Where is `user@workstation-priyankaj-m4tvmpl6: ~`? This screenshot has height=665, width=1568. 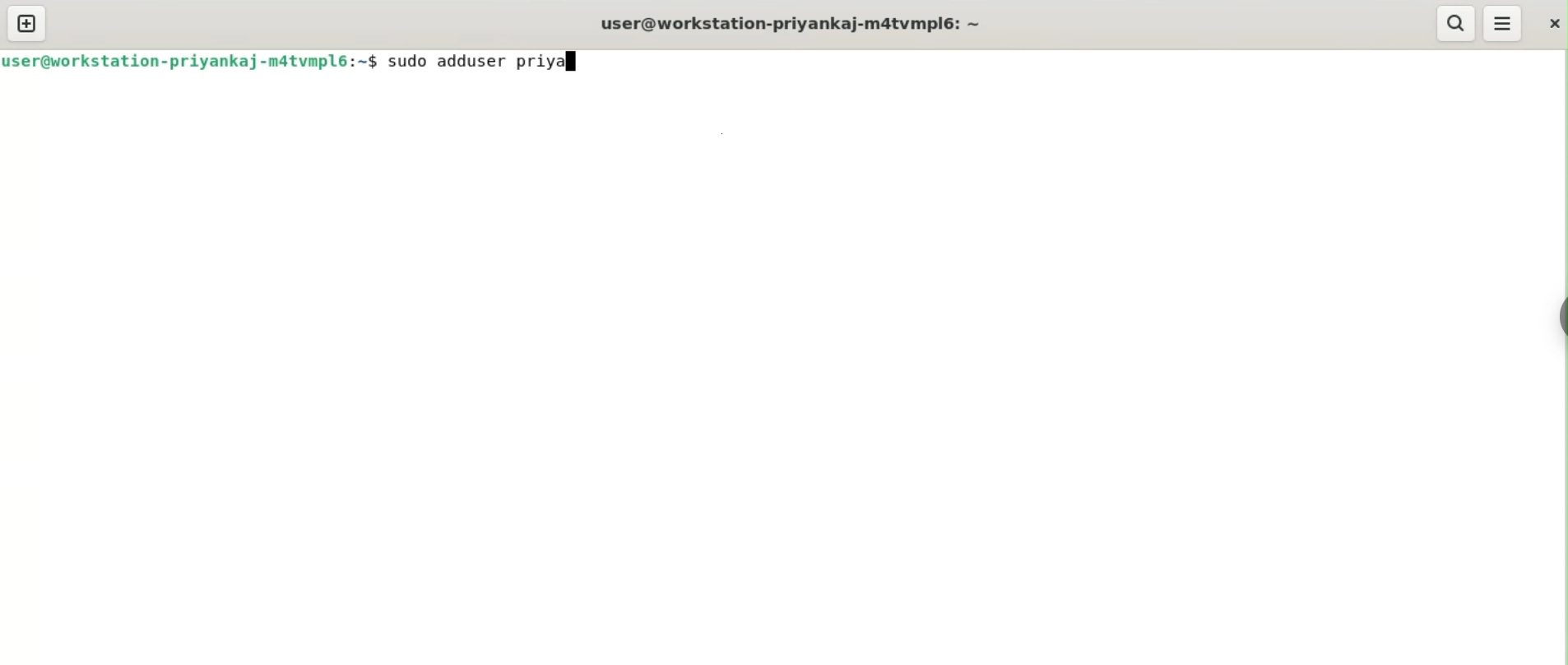 user@workstation-priyankaj-m4tvmpl6: ~ is located at coordinates (791, 26).